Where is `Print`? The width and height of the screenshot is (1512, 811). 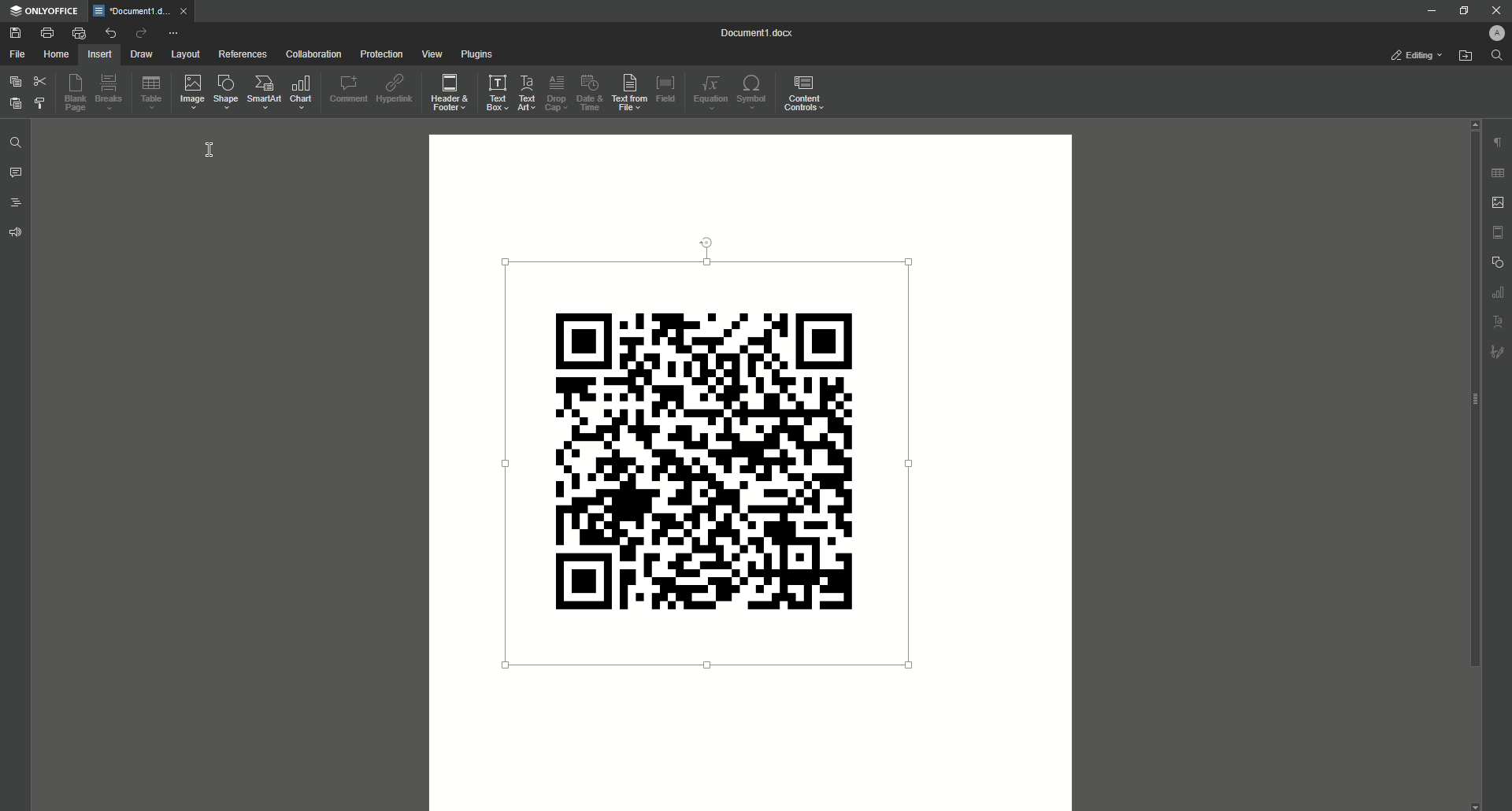 Print is located at coordinates (47, 32).